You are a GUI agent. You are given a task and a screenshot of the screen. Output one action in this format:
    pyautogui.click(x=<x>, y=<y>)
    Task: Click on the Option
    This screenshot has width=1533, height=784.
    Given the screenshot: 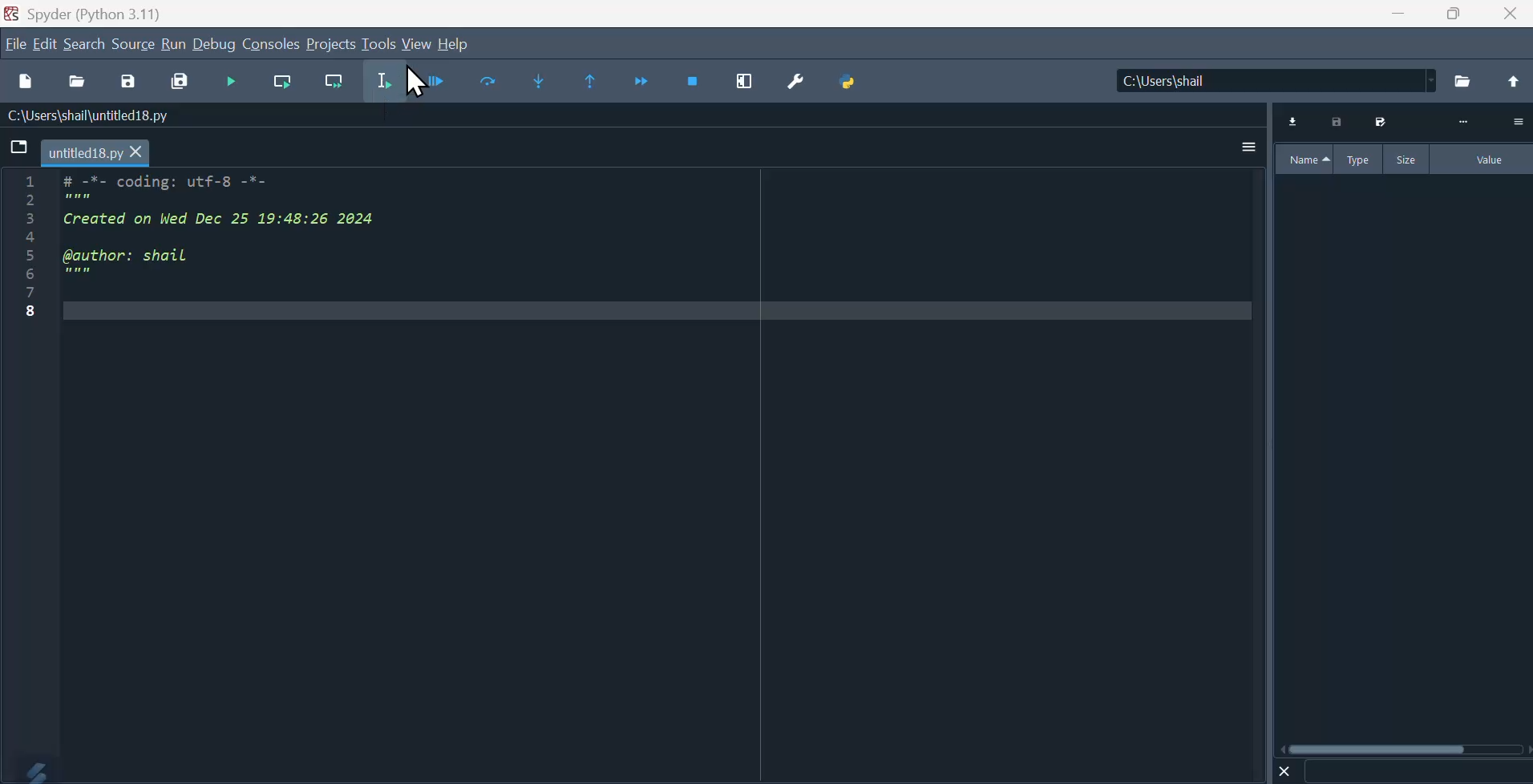 What is the action you would take?
    pyautogui.click(x=1517, y=121)
    